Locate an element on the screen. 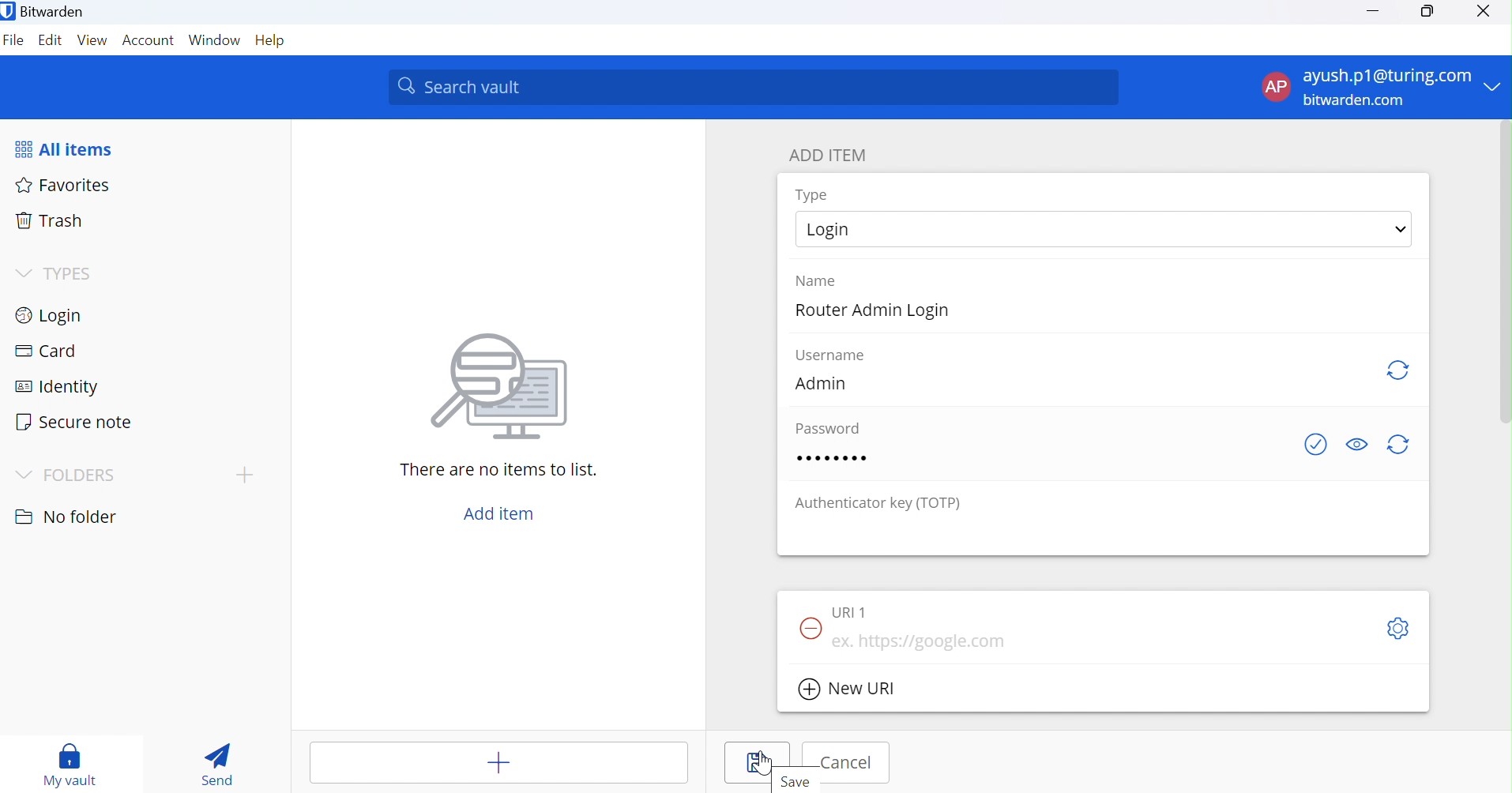  Name is located at coordinates (825, 280).